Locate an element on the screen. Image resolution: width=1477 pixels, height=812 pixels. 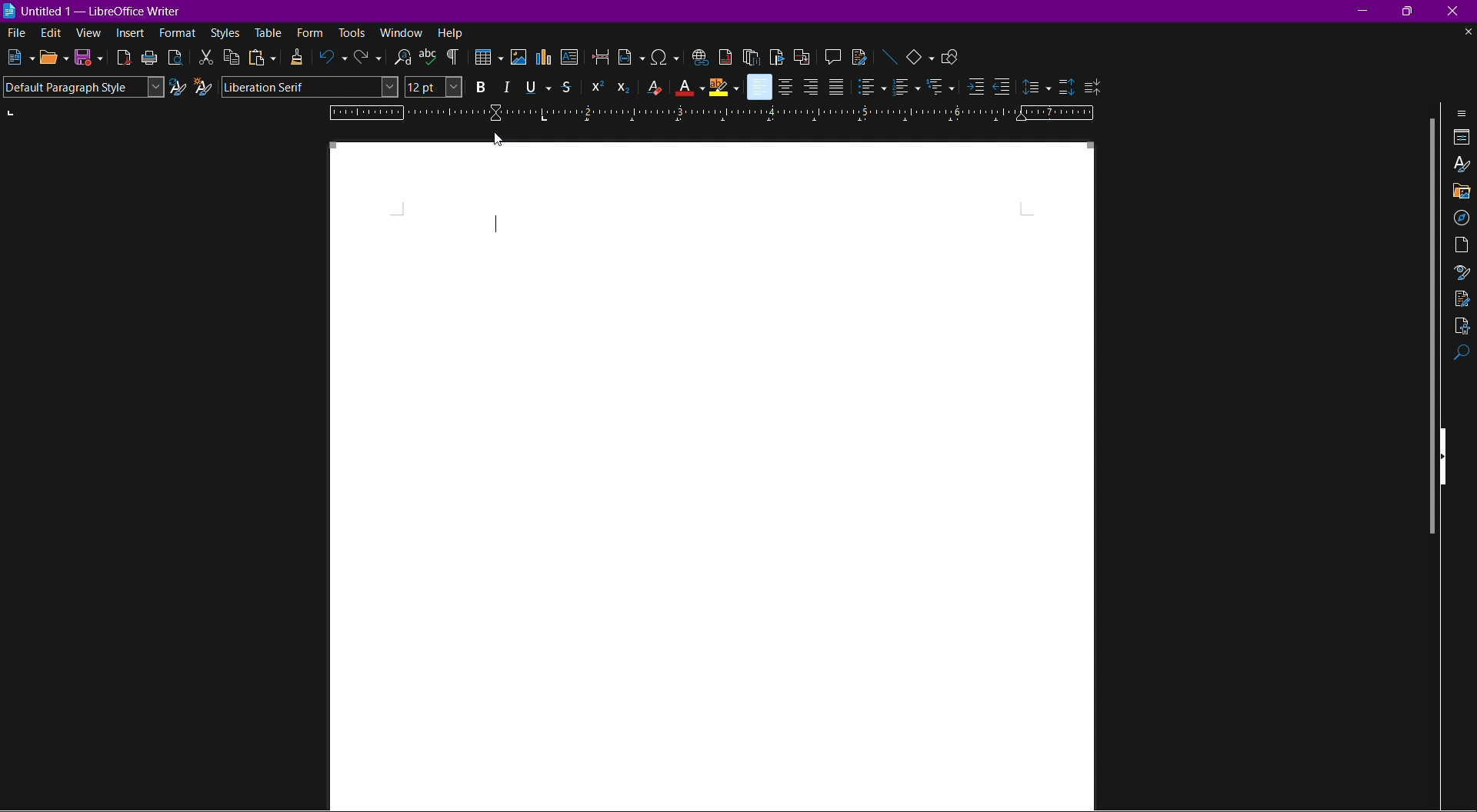
window is located at coordinates (403, 32).